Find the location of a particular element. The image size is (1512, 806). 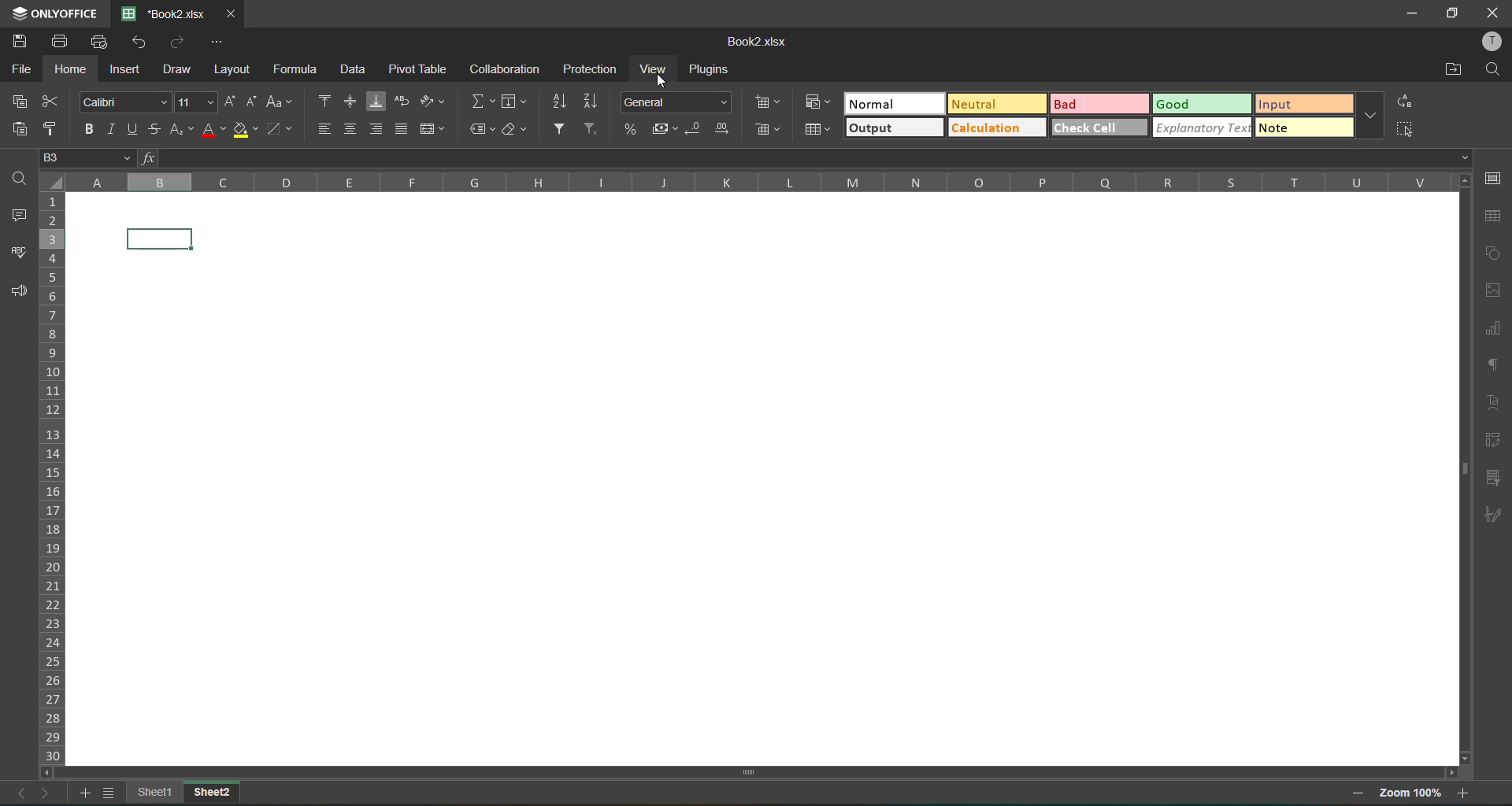

paste is located at coordinates (15, 129).